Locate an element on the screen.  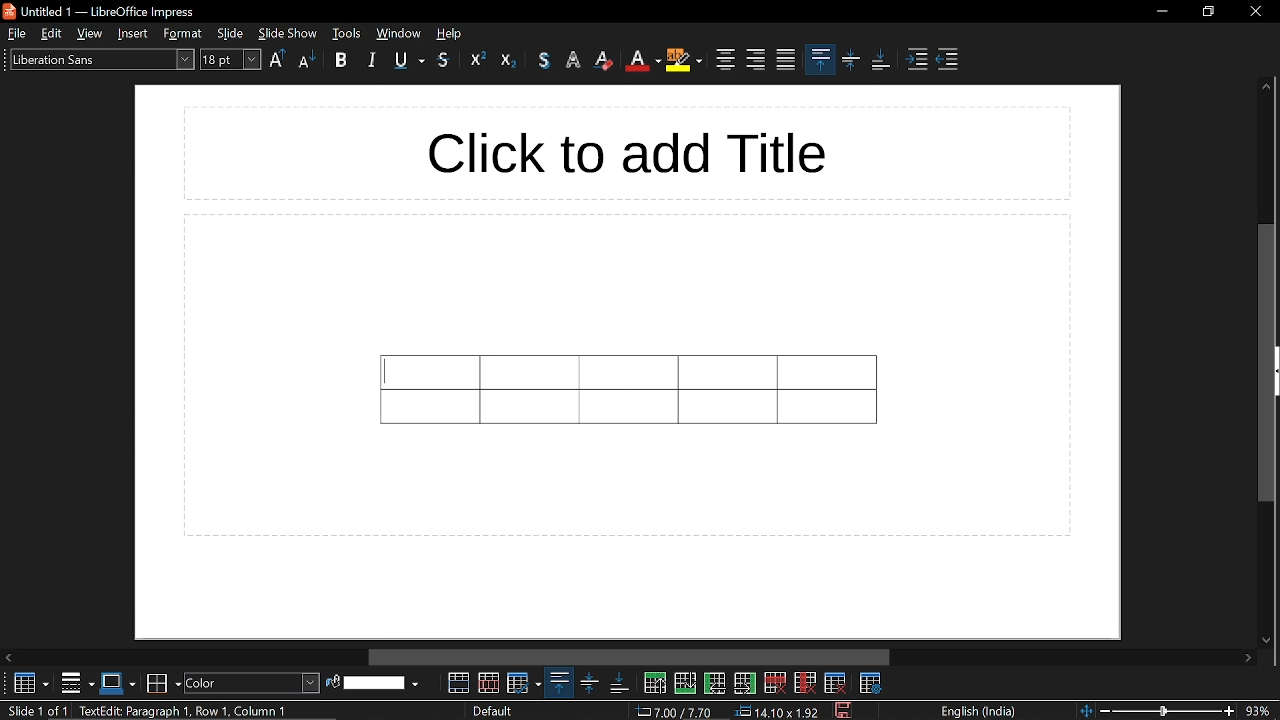
text color is located at coordinates (543, 60).